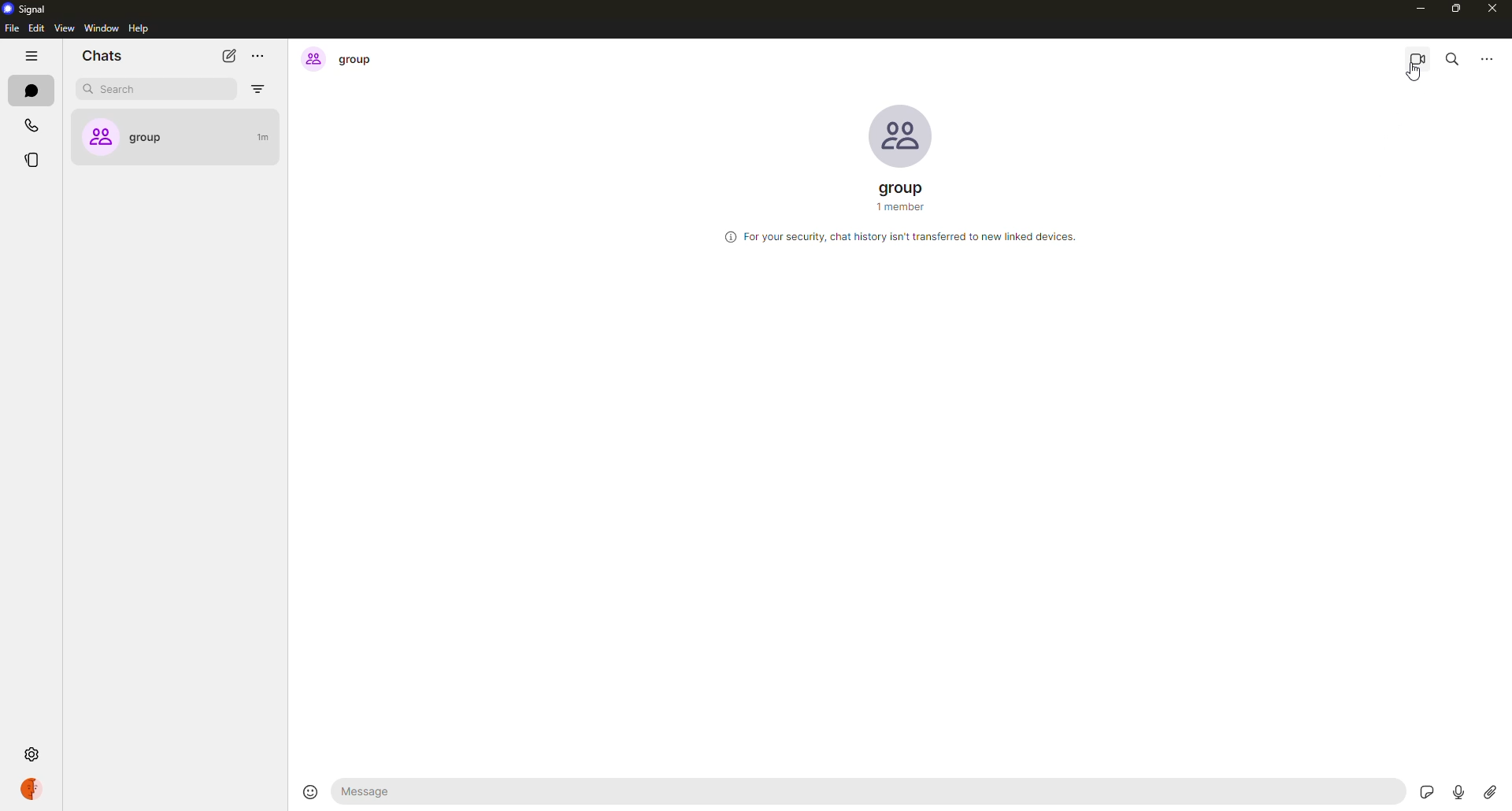 This screenshot has width=1512, height=811. What do you see at coordinates (180, 131) in the screenshot?
I see `group` at bounding box center [180, 131].